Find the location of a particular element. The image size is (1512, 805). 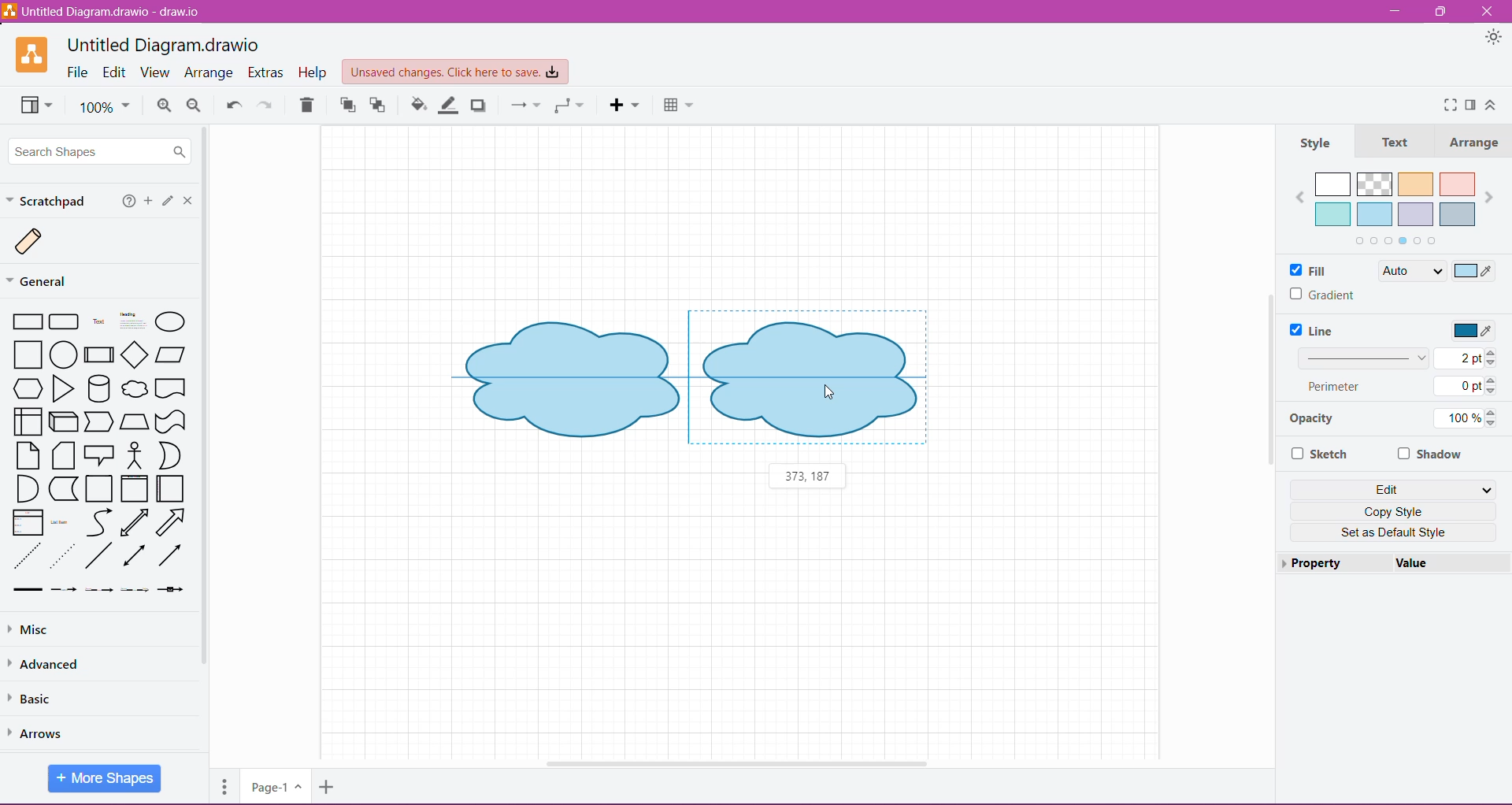

Scratchpad is located at coordinates (49, 201).